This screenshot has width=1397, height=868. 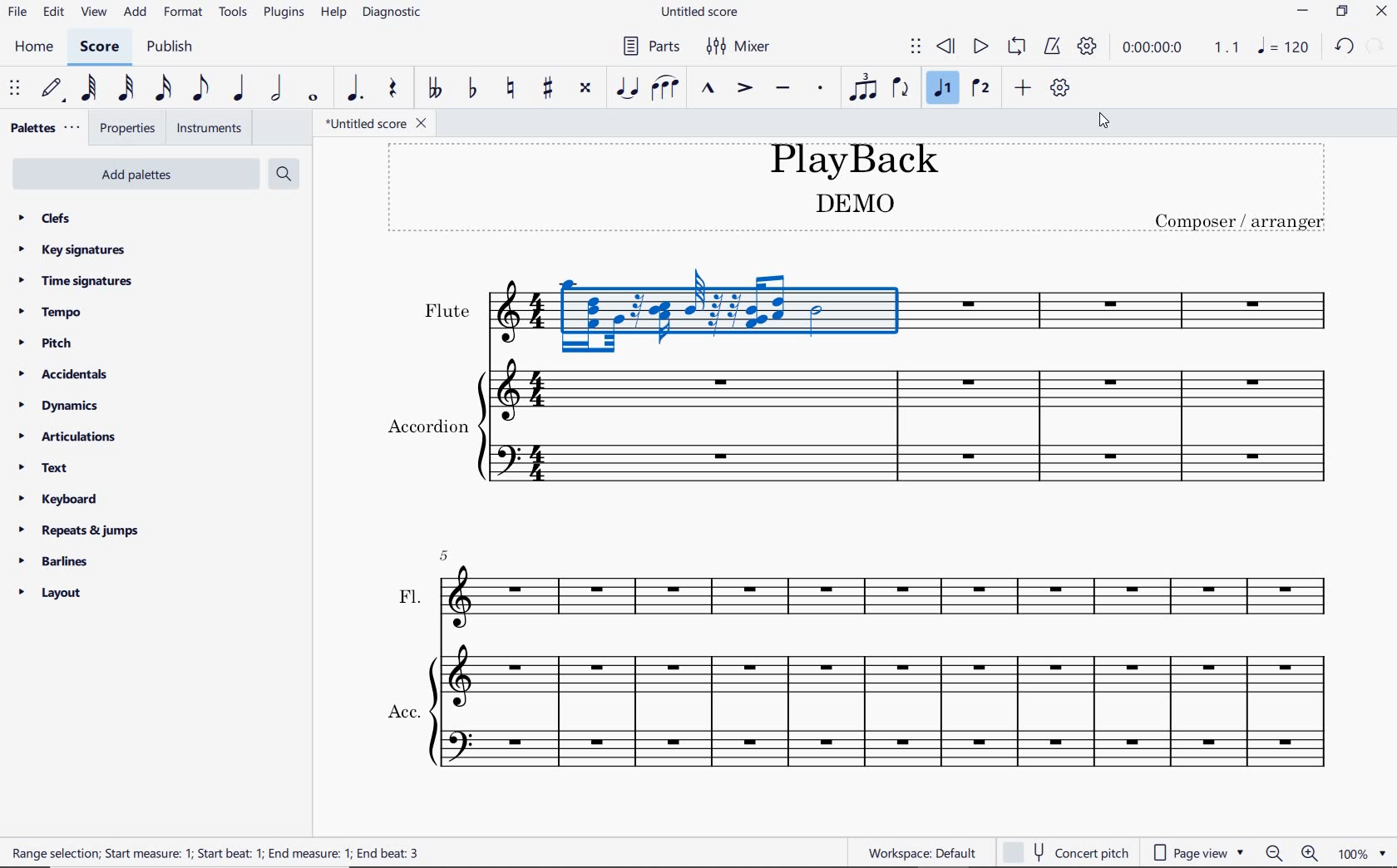 What do you see at coordinates (1343, 11) in the screenshot?
I see `restore down` at bounding box center [1343, 11].